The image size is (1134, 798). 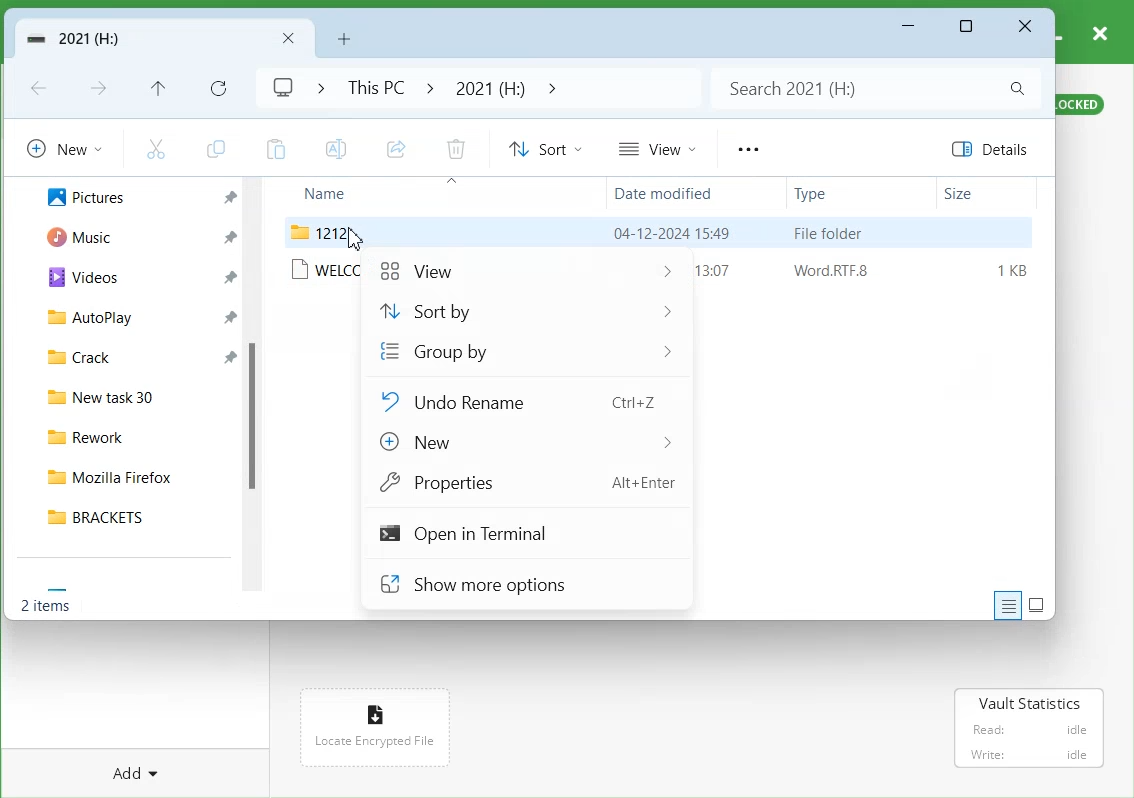 What do you see at coordinates (75, 238) in the screenshot?
I see `Music` at bounding box center [75, 238].